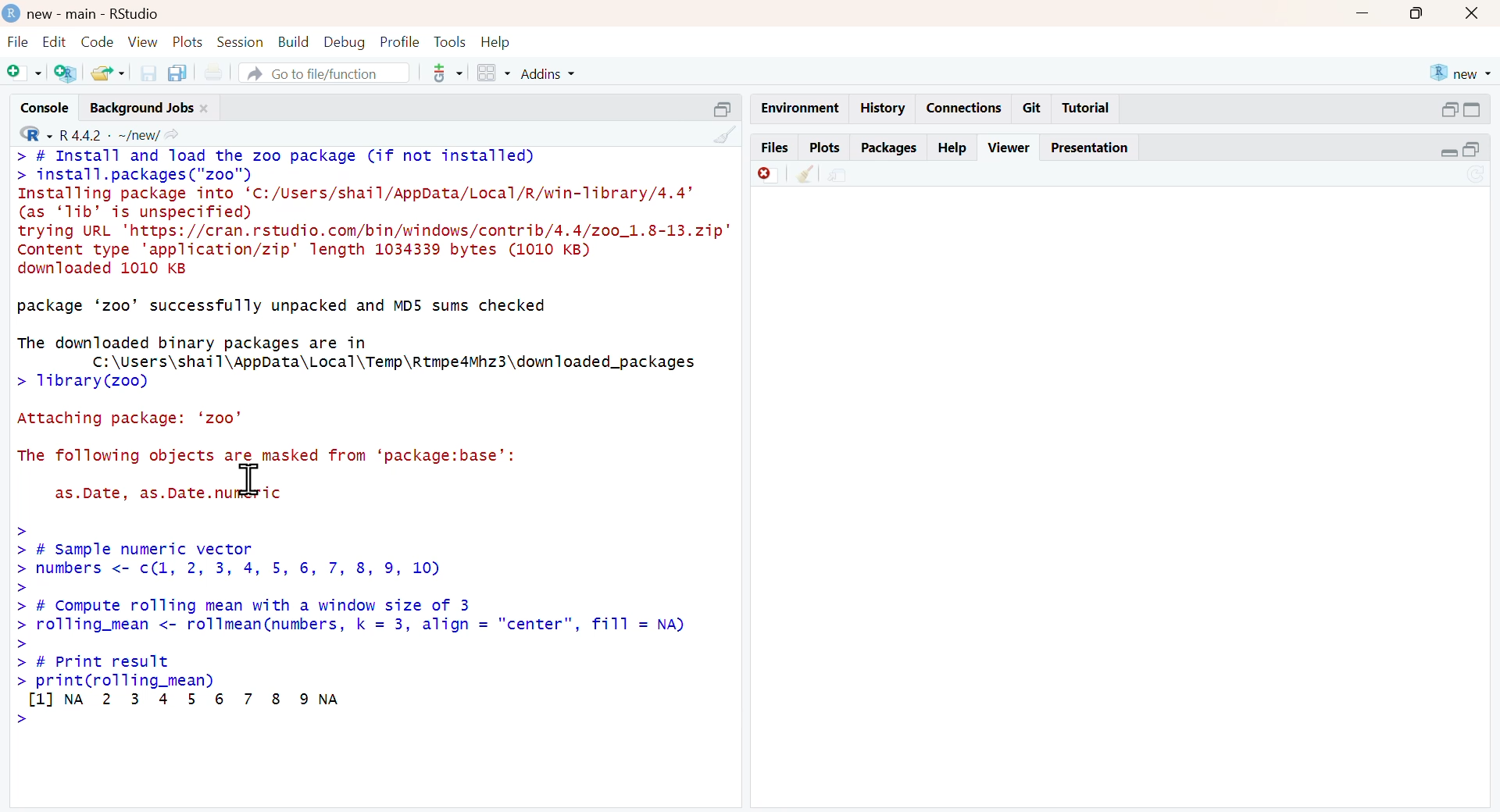 The height and width of the screenshot is (812, 1500). I want to click on switch to full view, so click(1472, 109).